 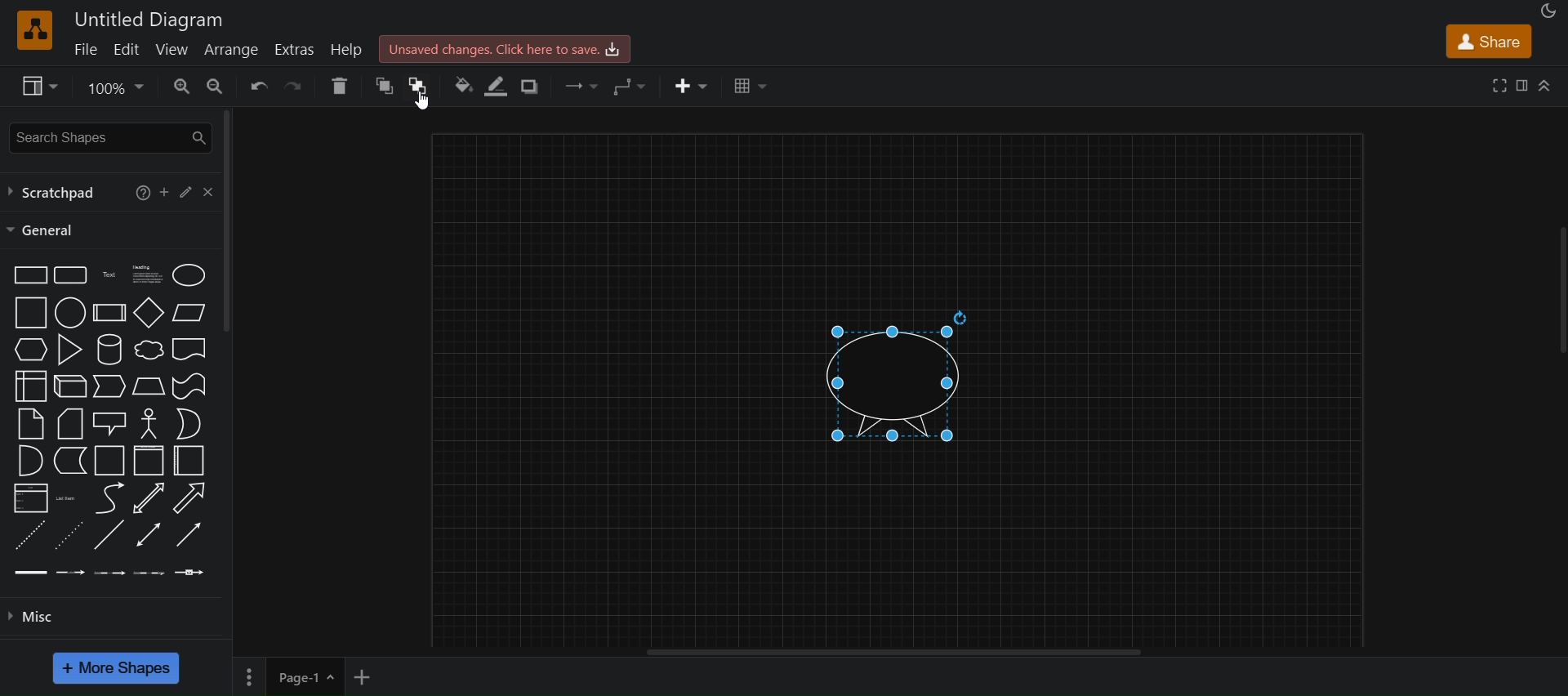 What do you see at coordinates (693, 84) in the screenshot?
I see `insert` at bounding box center [693, 84].